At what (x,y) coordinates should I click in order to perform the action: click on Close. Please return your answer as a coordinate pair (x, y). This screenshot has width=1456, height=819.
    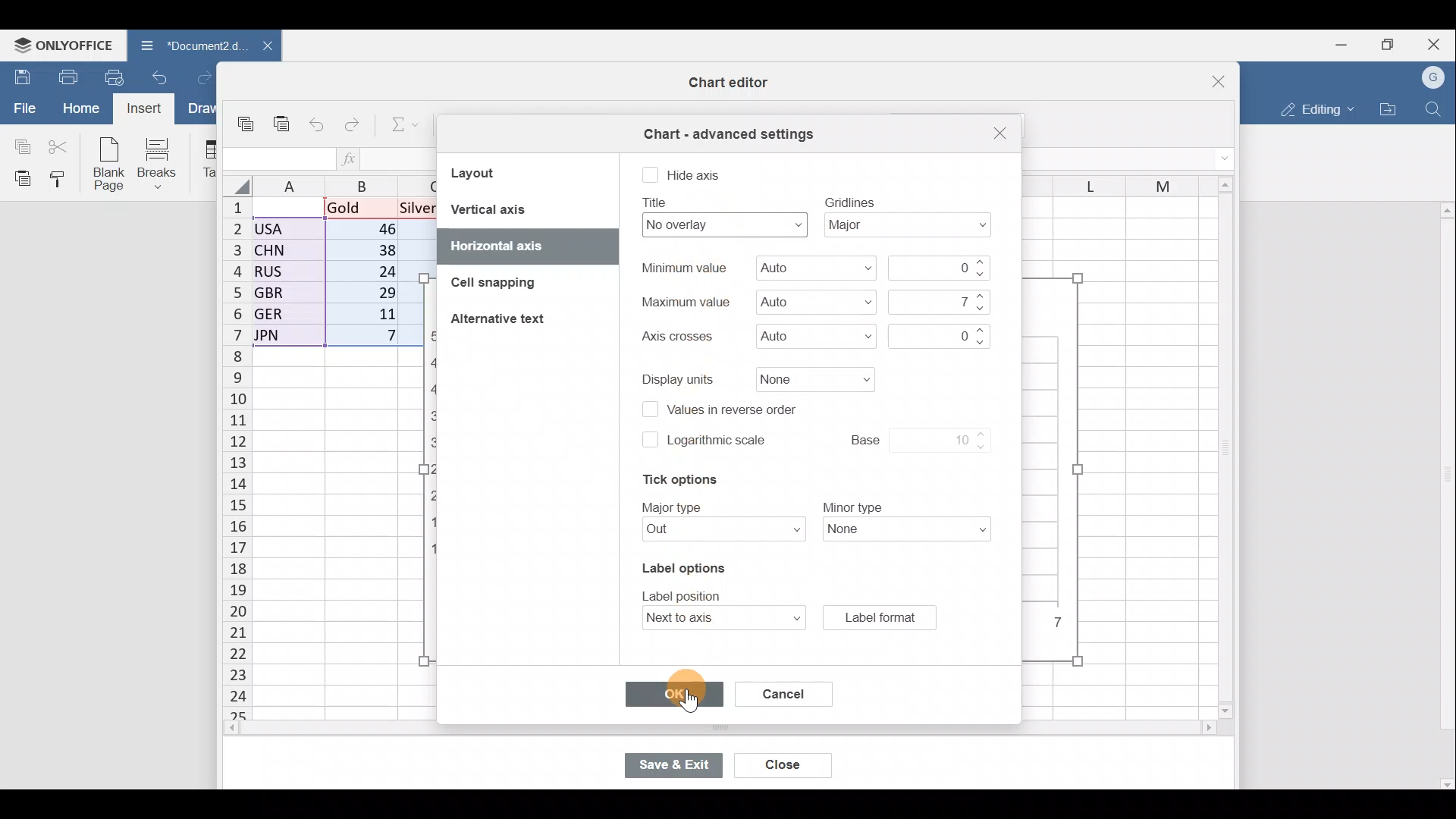
    Looking at the image, I should click on (1436, 42).